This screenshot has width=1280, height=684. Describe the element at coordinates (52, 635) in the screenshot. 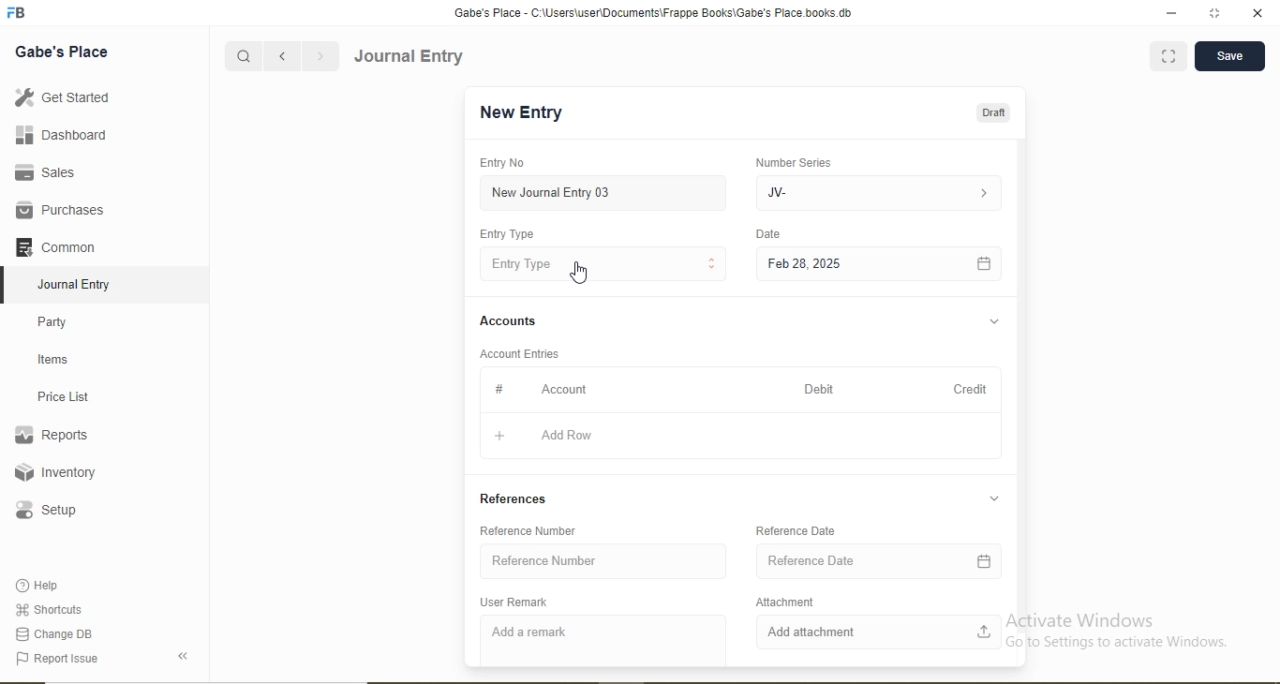

I see `Change DB` at that location.